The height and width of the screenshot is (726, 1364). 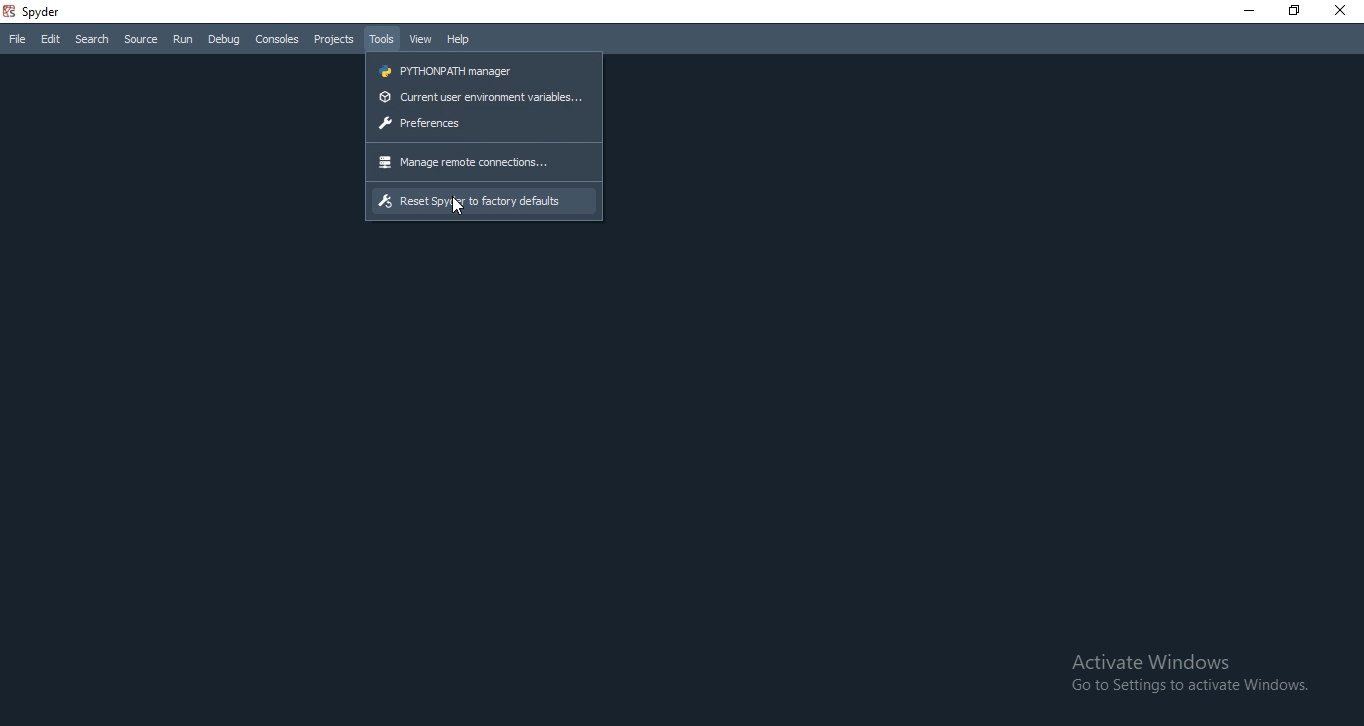 What do you see at coordinates (484, 70) in the screenshot?
I see `pythonpath manager` at bounding box center [484, 70].